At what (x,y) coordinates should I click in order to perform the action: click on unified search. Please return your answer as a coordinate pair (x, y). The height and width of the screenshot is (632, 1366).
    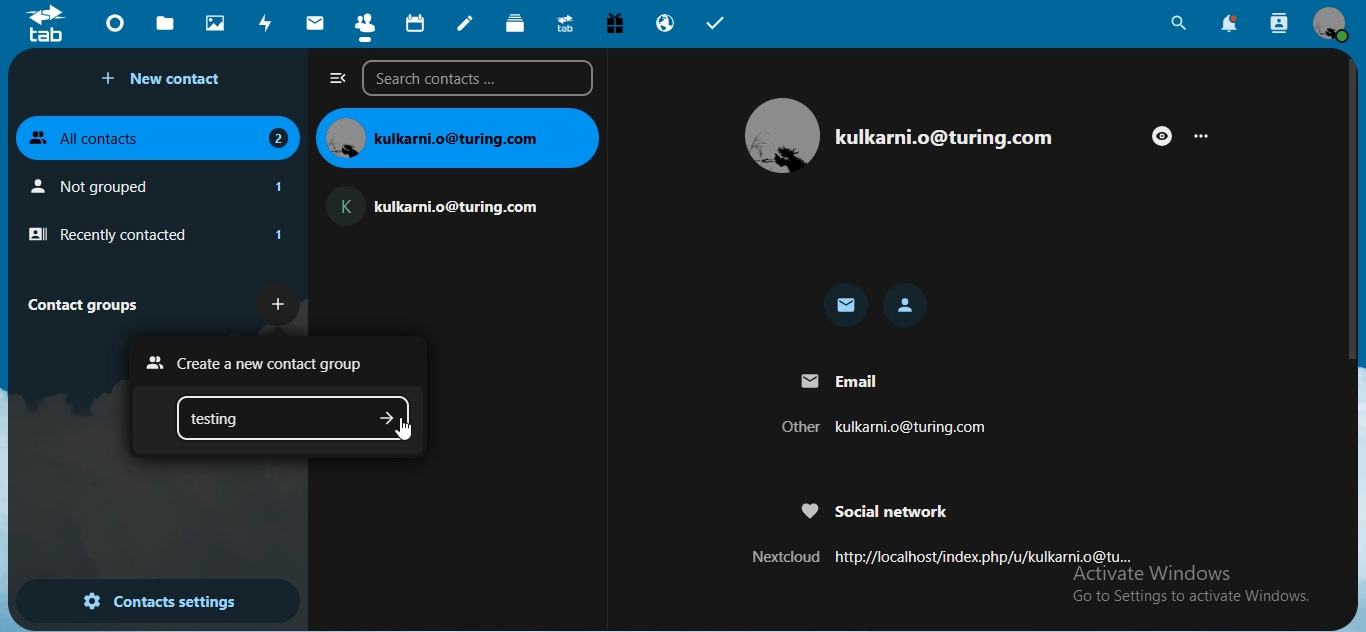
    Looking at the image, I should click on (1178, 26).